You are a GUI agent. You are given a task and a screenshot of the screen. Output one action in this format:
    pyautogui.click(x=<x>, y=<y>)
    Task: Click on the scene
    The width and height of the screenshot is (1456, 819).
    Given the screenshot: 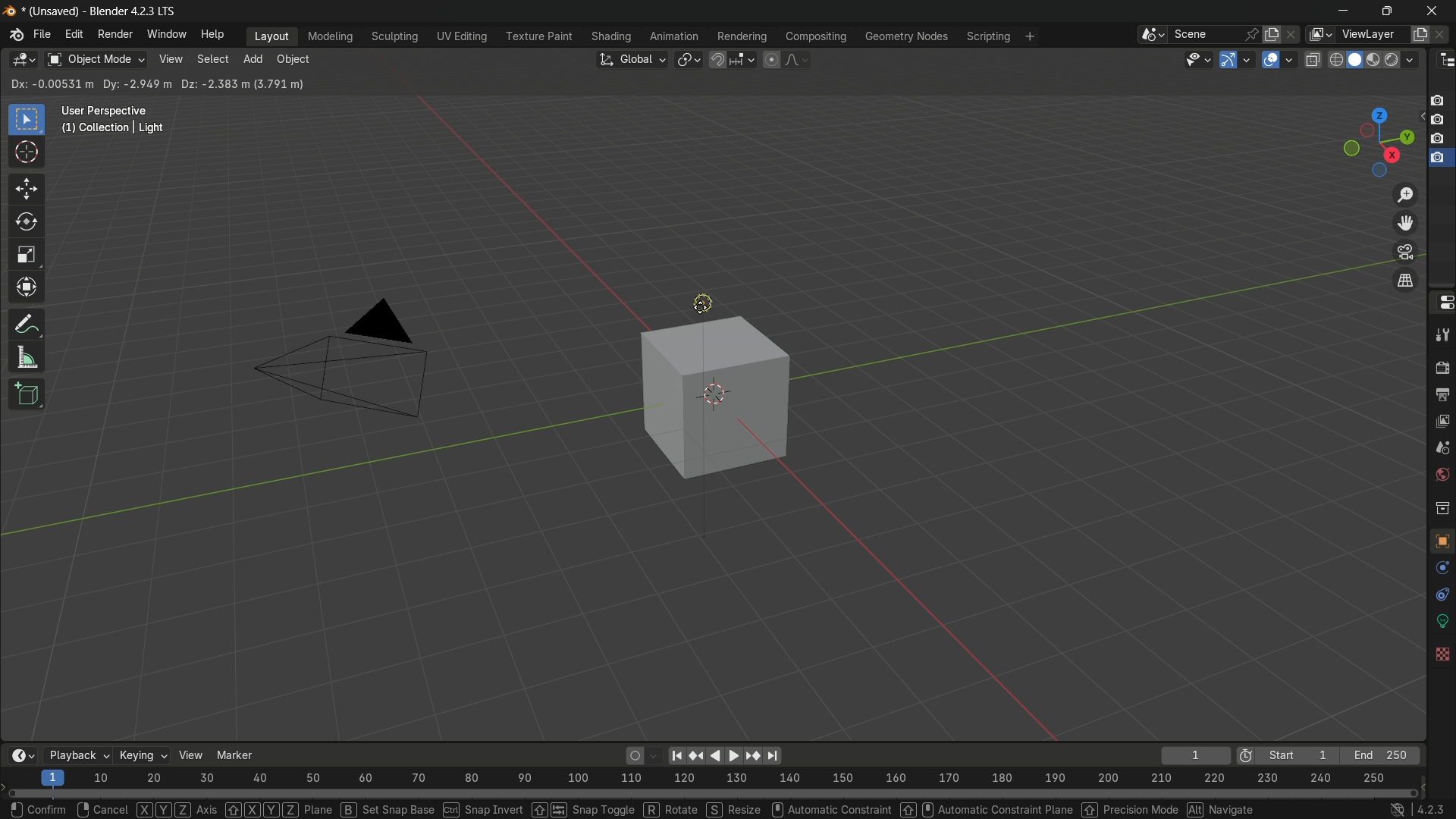 What is the action you would take?
    pyautogui.click(x=1442, y=447)
    